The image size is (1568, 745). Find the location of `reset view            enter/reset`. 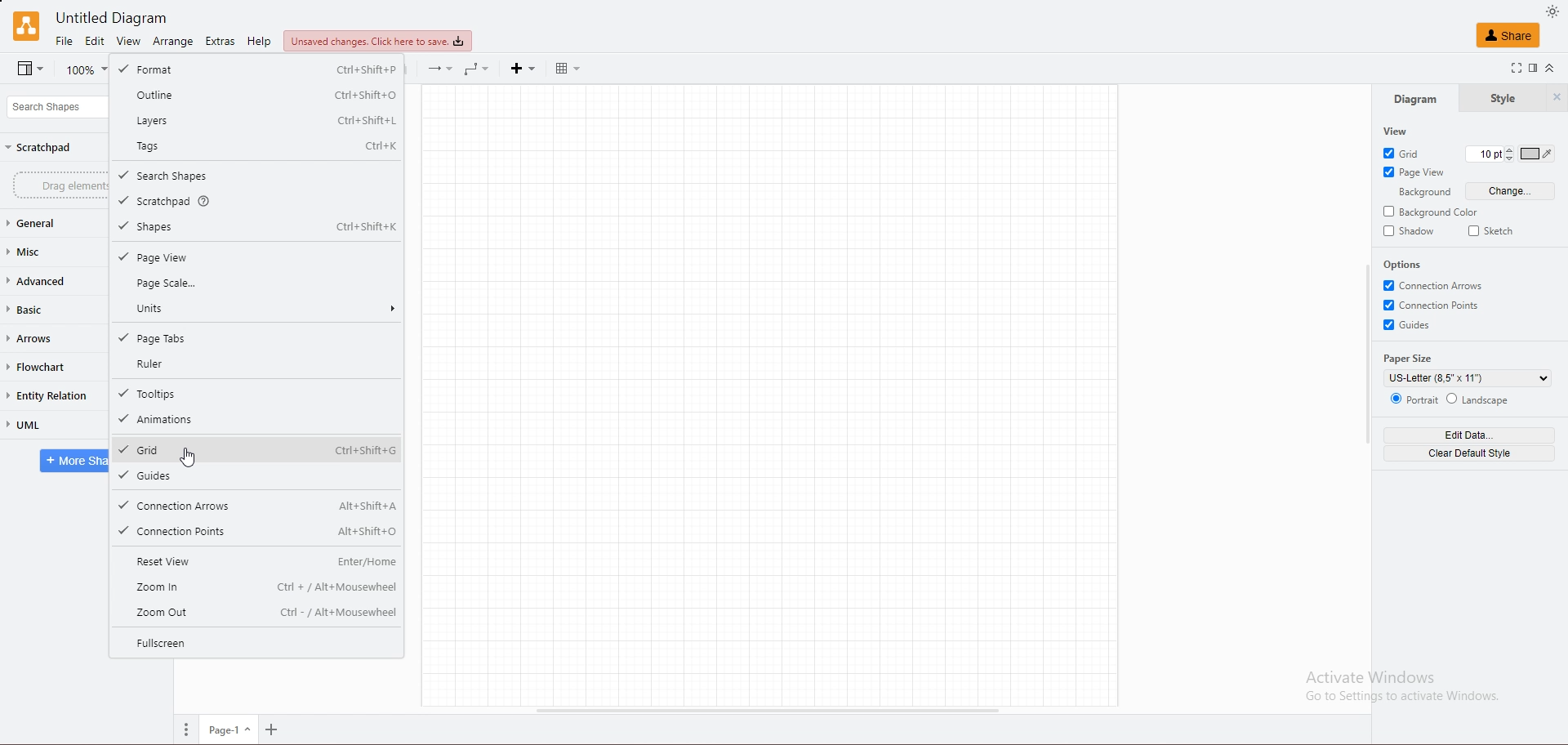

reset view            enter/reset is located at coordinates (256, 560).